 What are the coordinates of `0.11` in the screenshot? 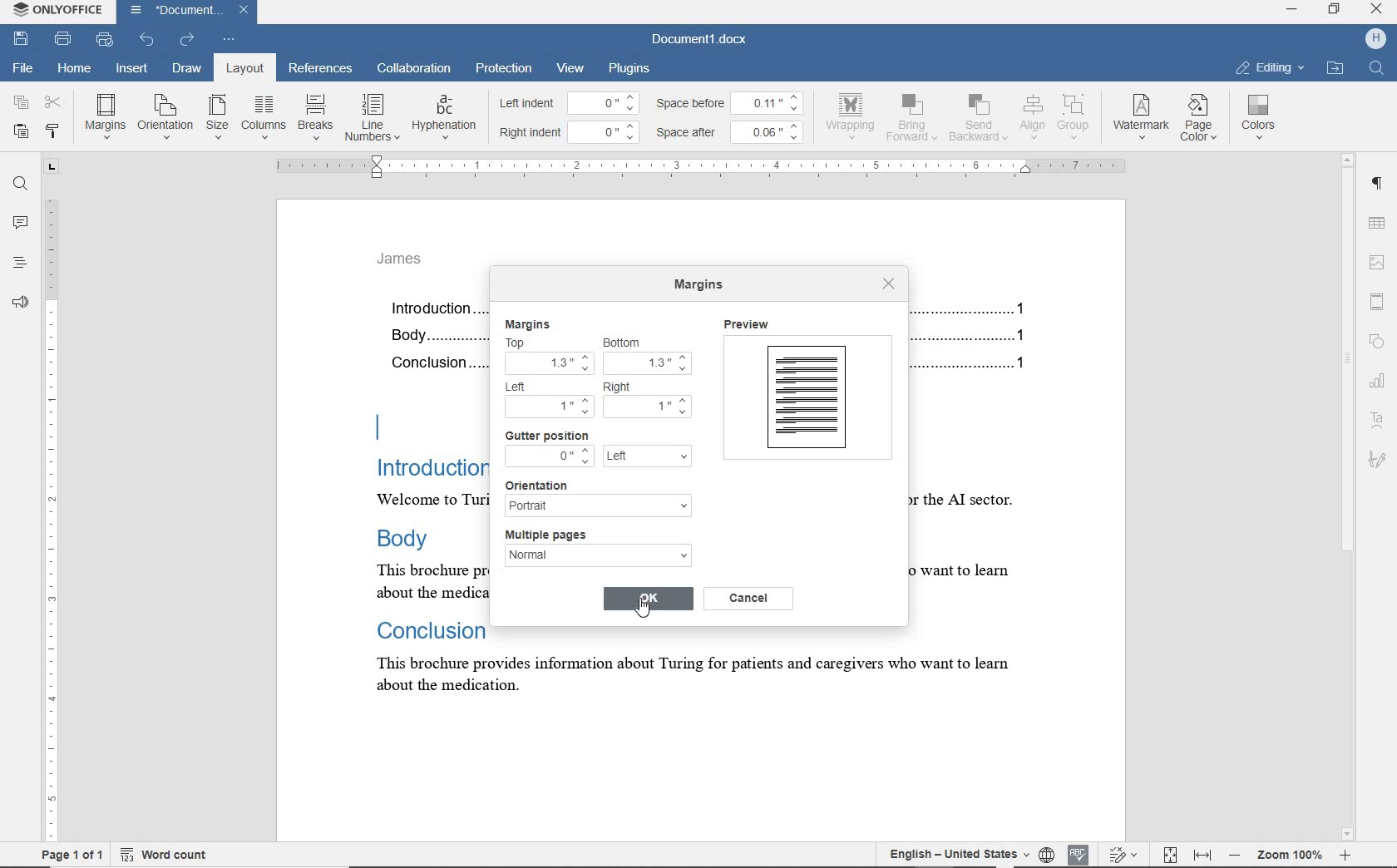 It's located at (772, 101).